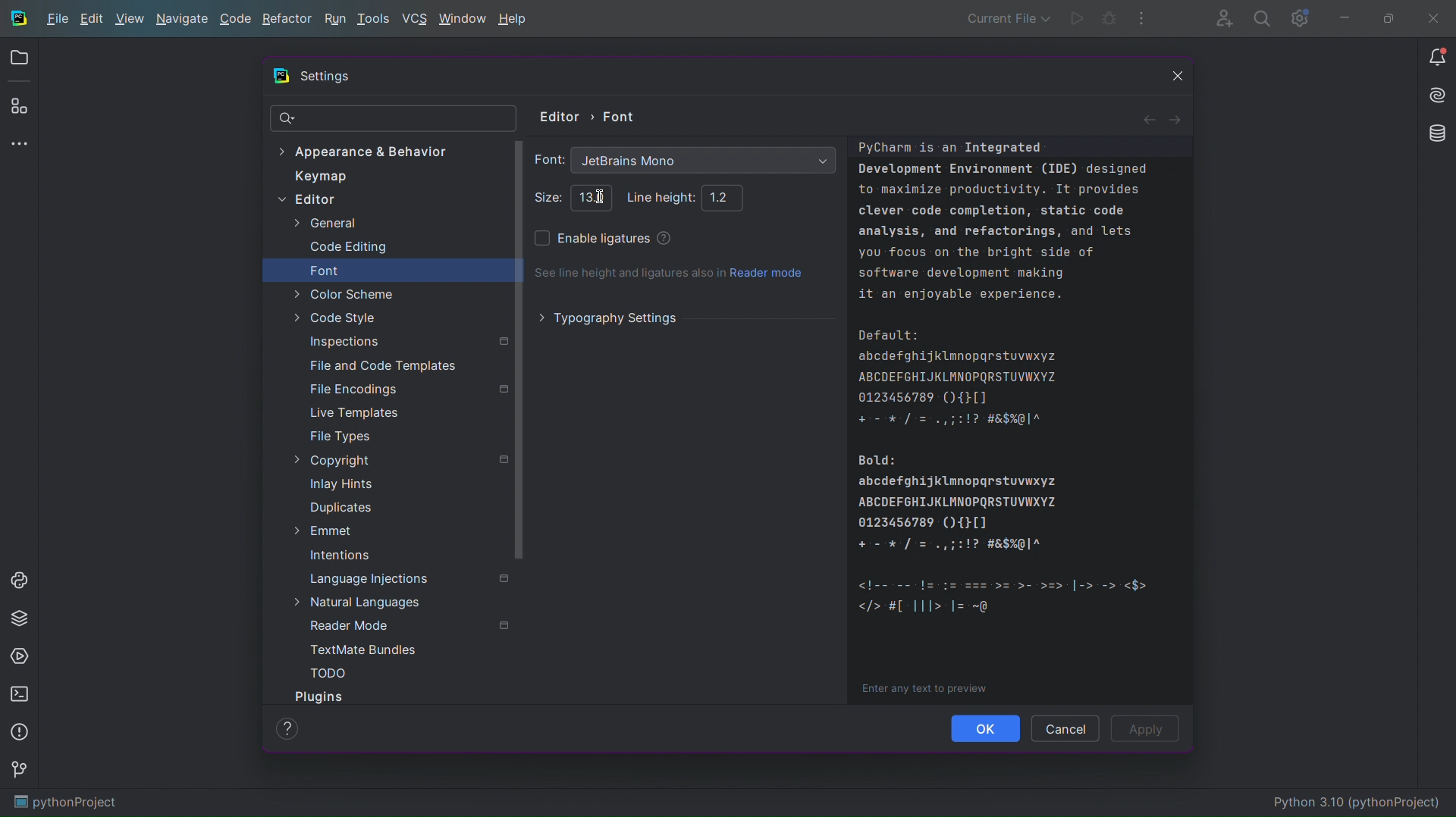 The height and width of the screenshot is (817, 1456). What do you see at coordinates (65, 803) in the screenshot?
I see `pythonProject` at bounding box center [65, 803].